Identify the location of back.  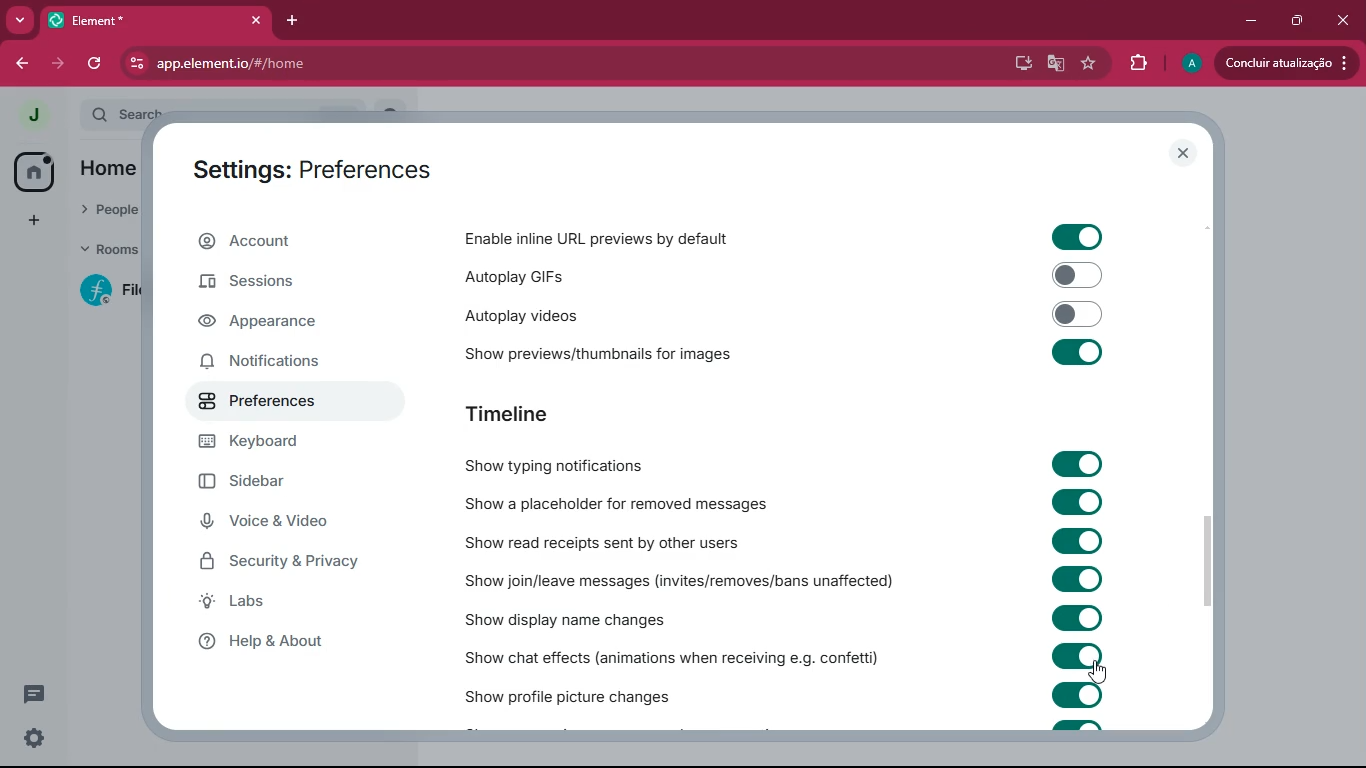
(23, 64).